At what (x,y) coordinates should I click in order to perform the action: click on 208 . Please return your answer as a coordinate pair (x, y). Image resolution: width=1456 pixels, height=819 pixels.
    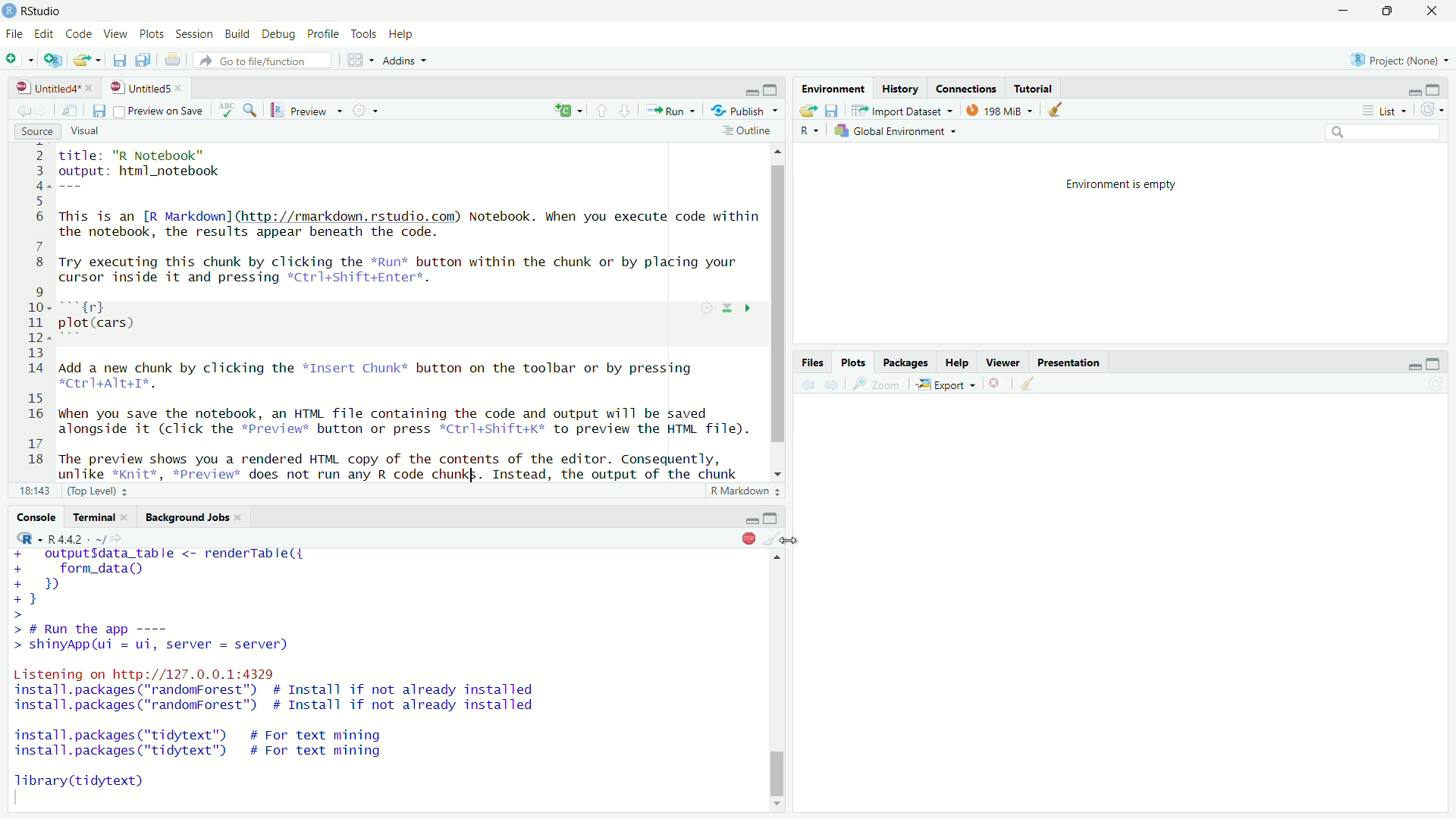
    Looking at the image, I should click on (1000, 110).